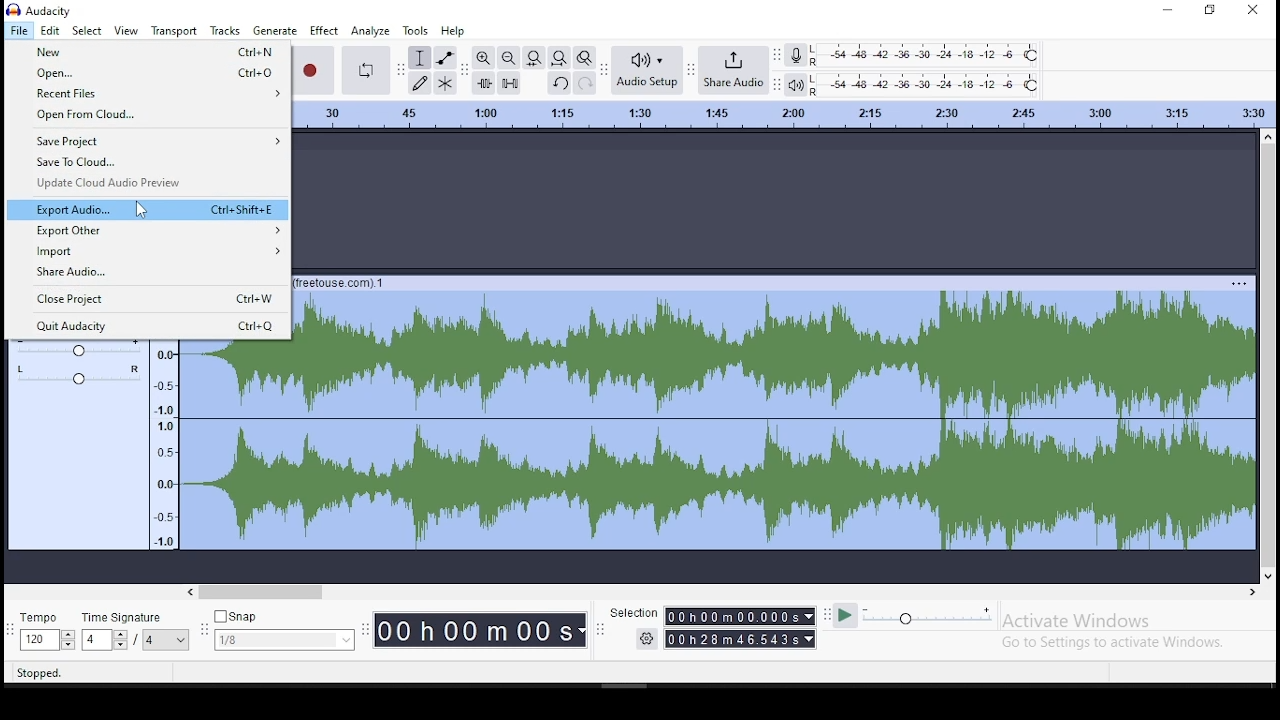  Describe the element at coordinates (167, 445) in the screenshot. I see `frequency` at that location.